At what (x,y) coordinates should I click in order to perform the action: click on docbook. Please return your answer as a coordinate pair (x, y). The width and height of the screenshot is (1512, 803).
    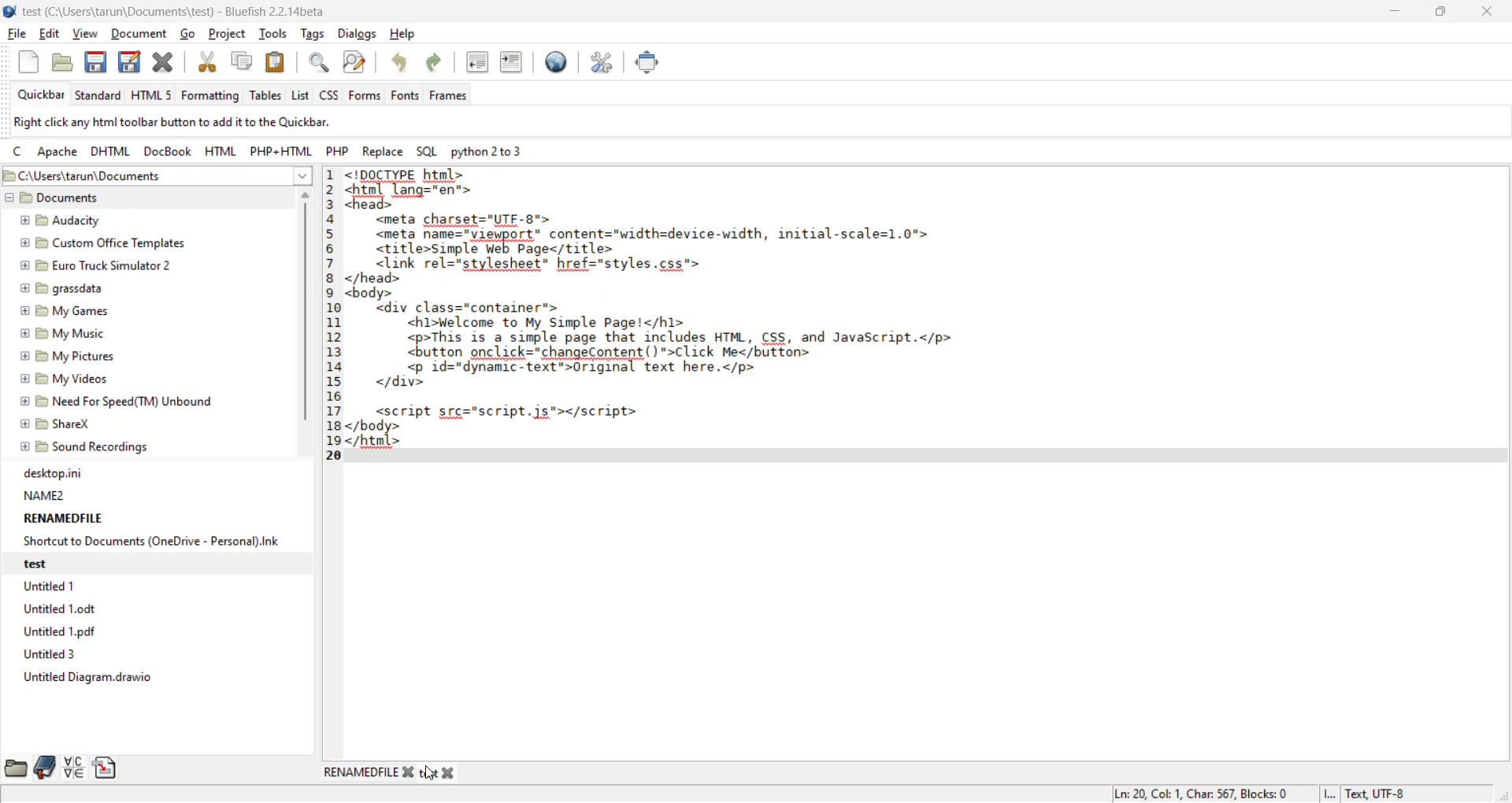
    Looking at the image, I should click on (165, 154).